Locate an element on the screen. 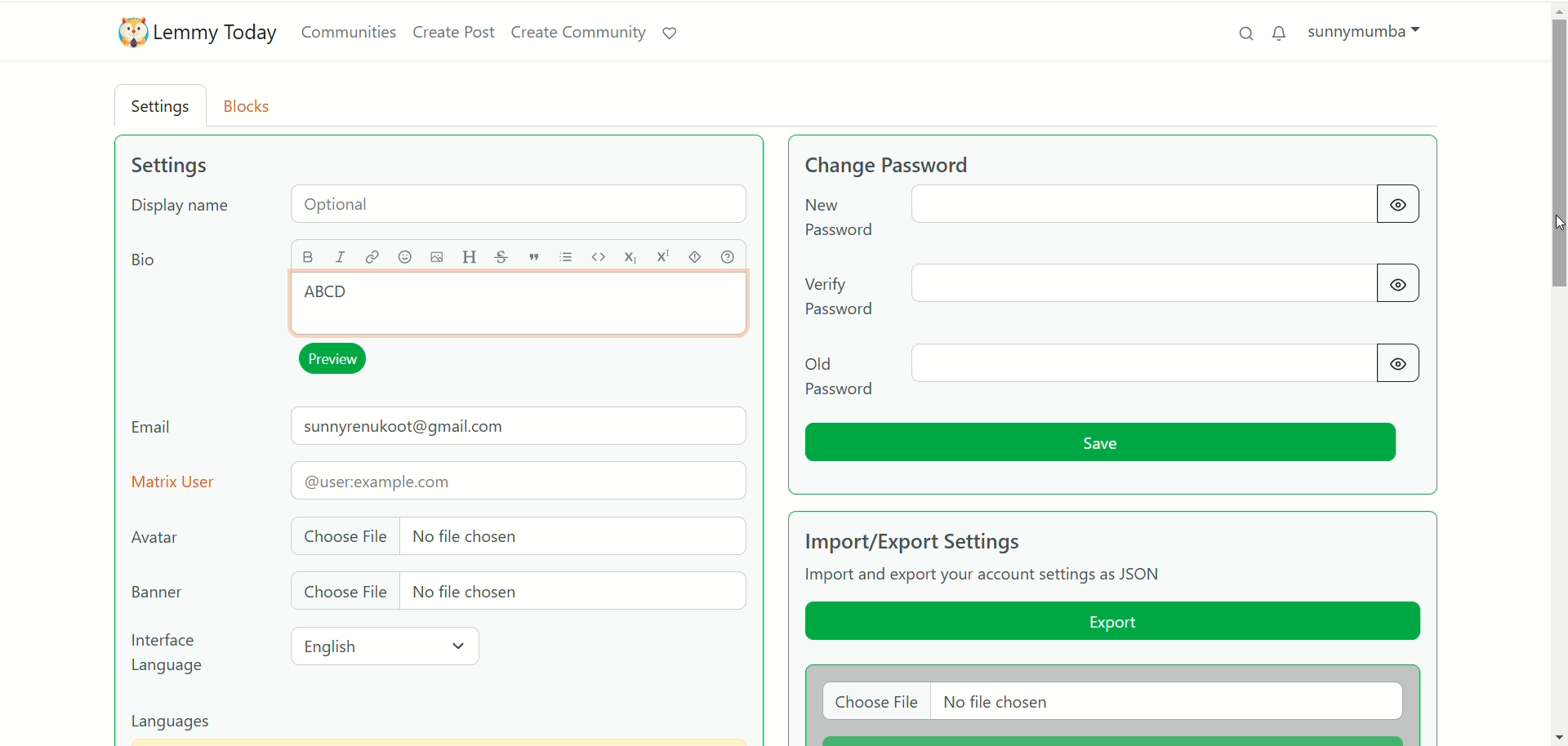  settings is located at coordinates (163, 108).